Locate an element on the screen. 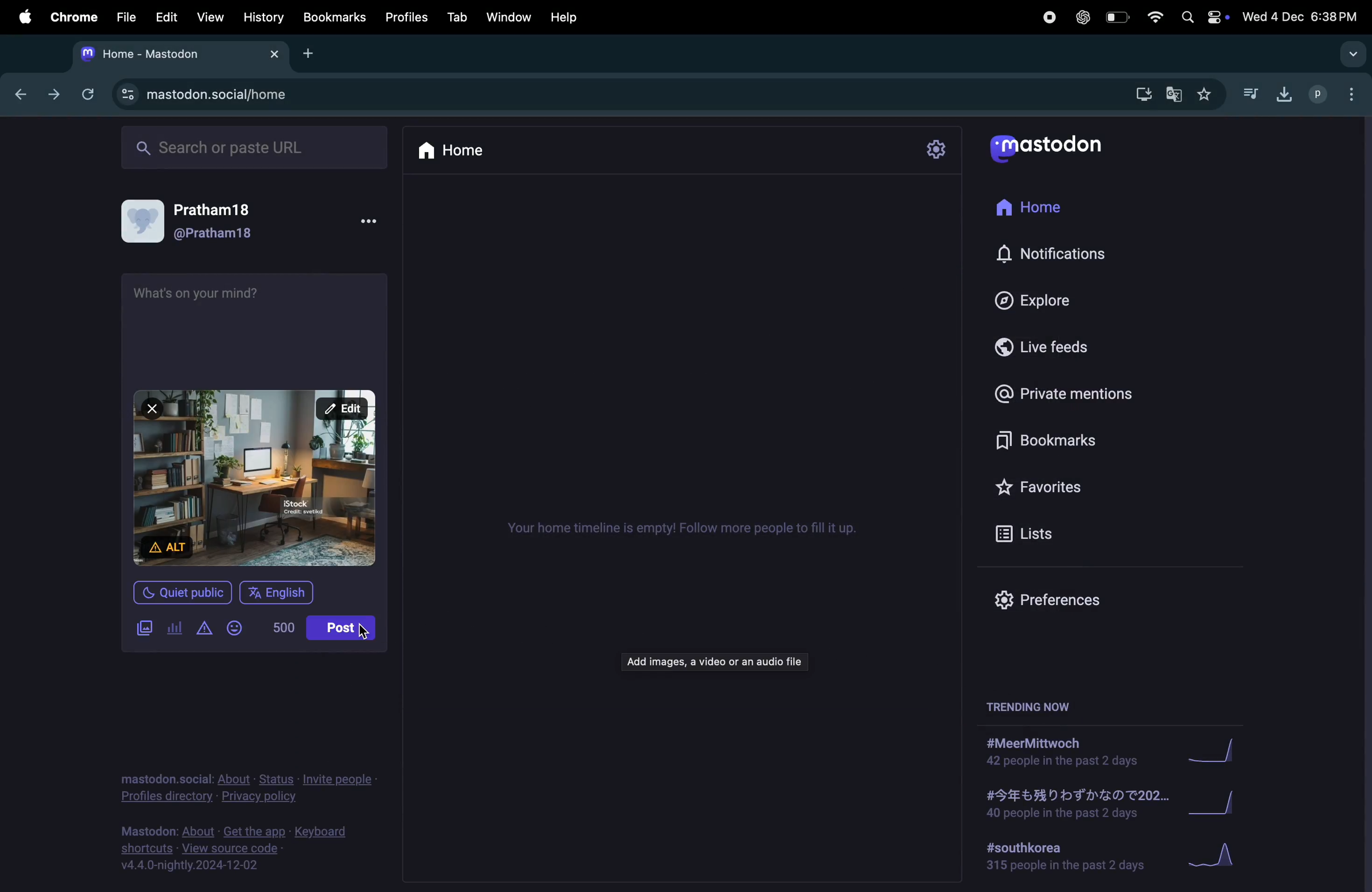  explore is located at coordinates (1044, 303).